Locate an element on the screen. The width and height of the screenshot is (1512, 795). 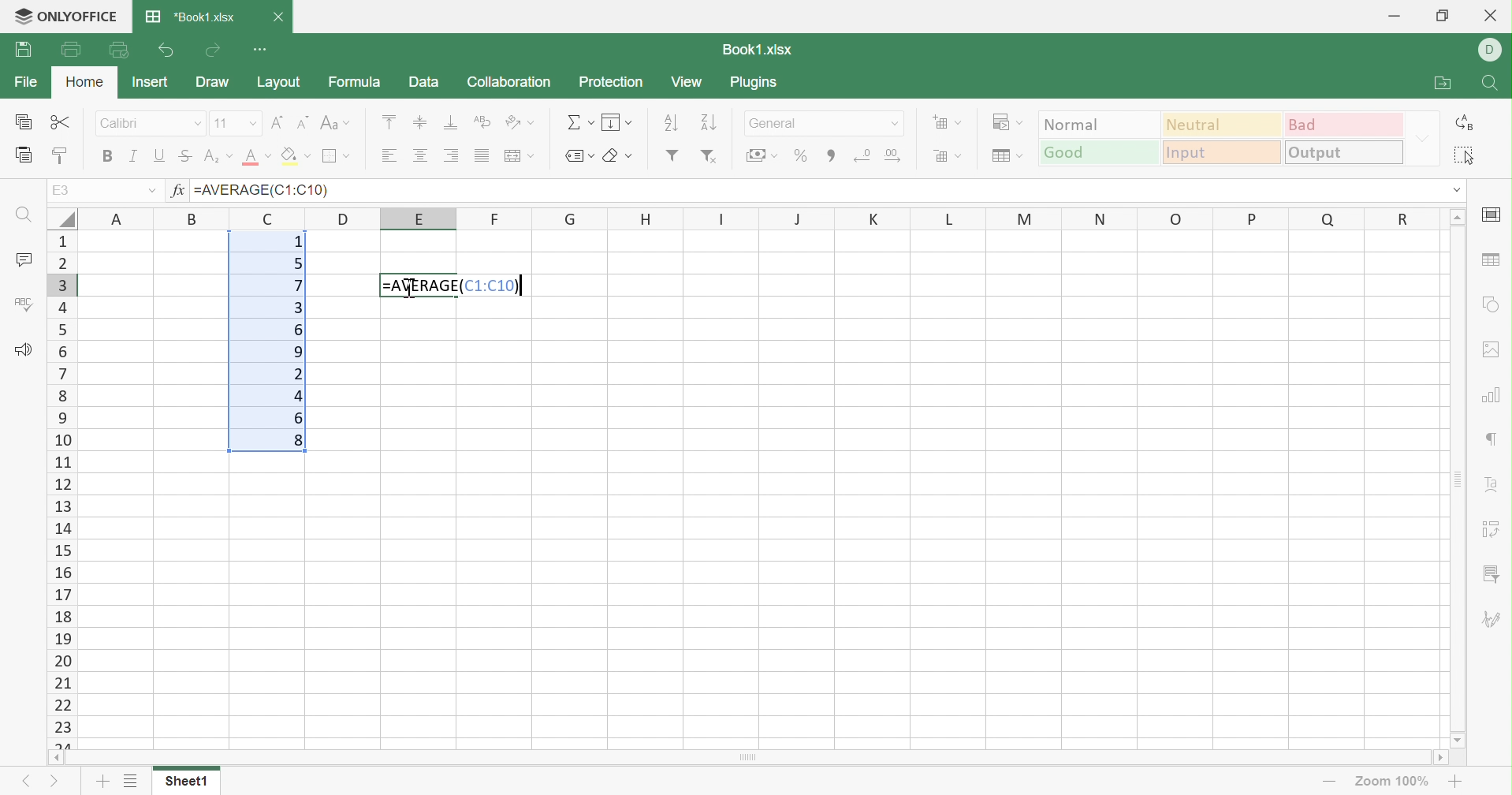
Zoom out is located at coordinates (1330, 782).